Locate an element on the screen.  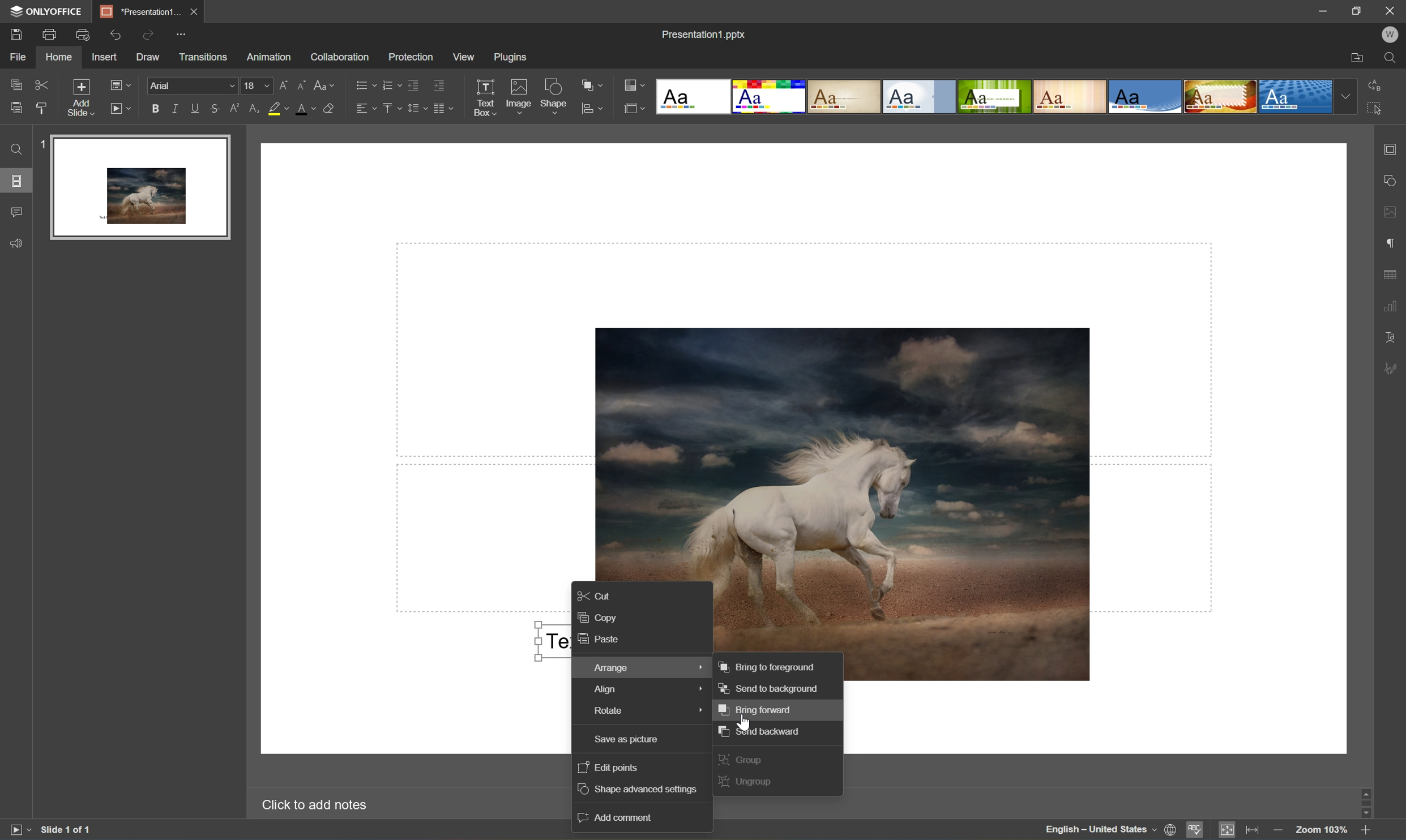
Subscript is located at coordinates (256, 109).